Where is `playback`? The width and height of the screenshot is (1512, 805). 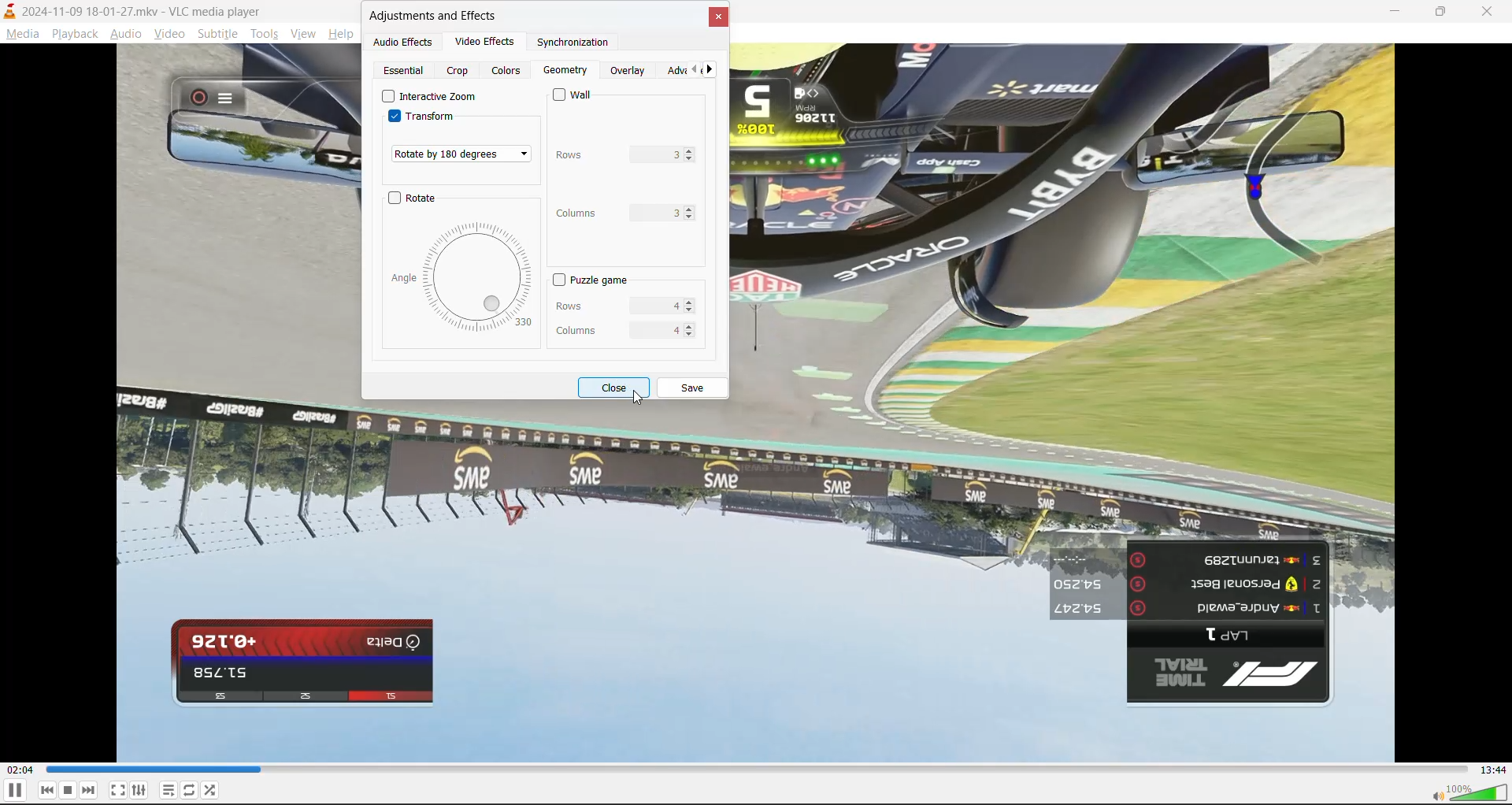 playback is located at coordinates (72, 32).